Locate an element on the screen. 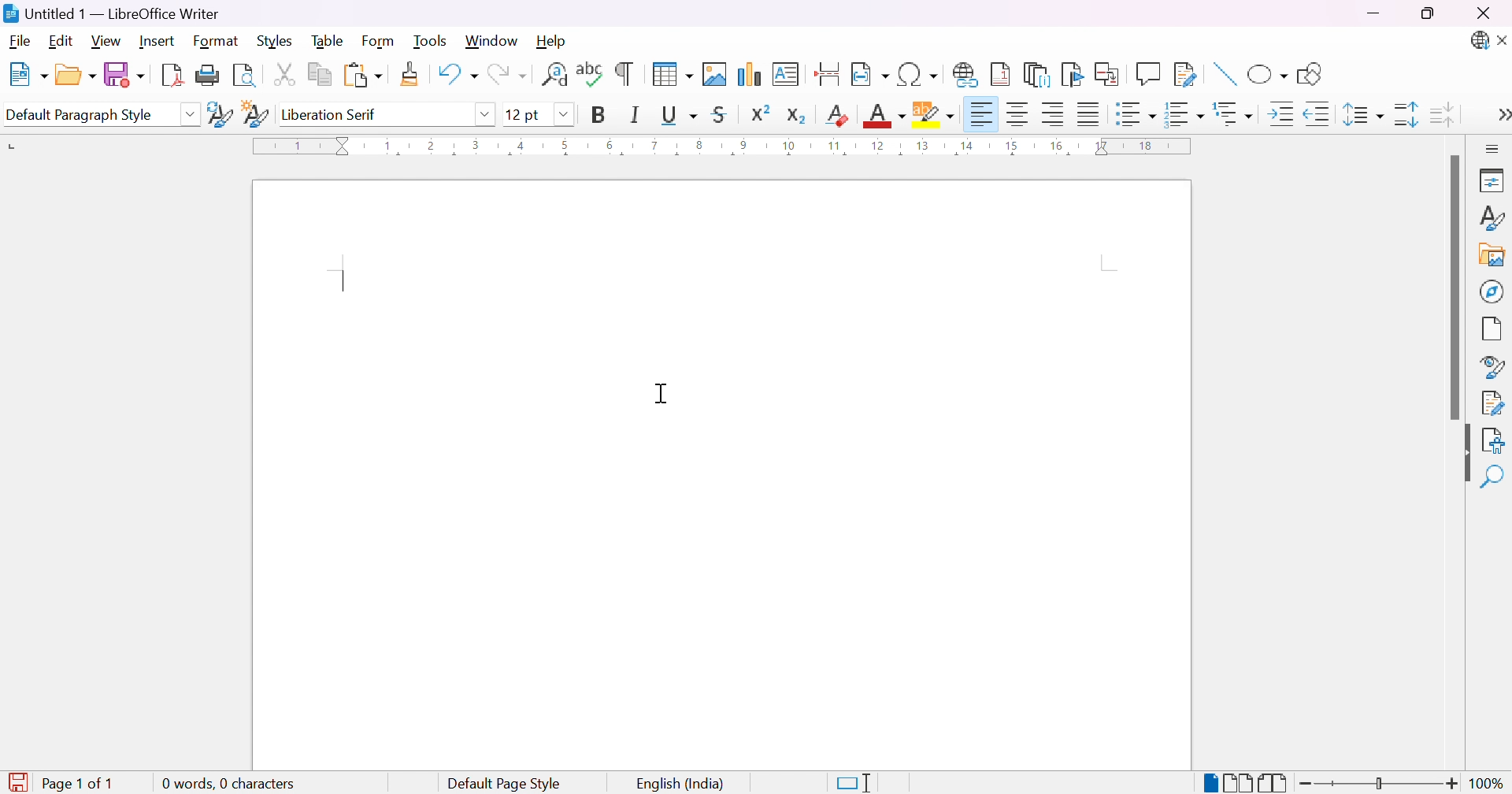 The image size is (1512, 794). Untitled 1 - LibreOffice Writer is located at coordinates (109, 13).